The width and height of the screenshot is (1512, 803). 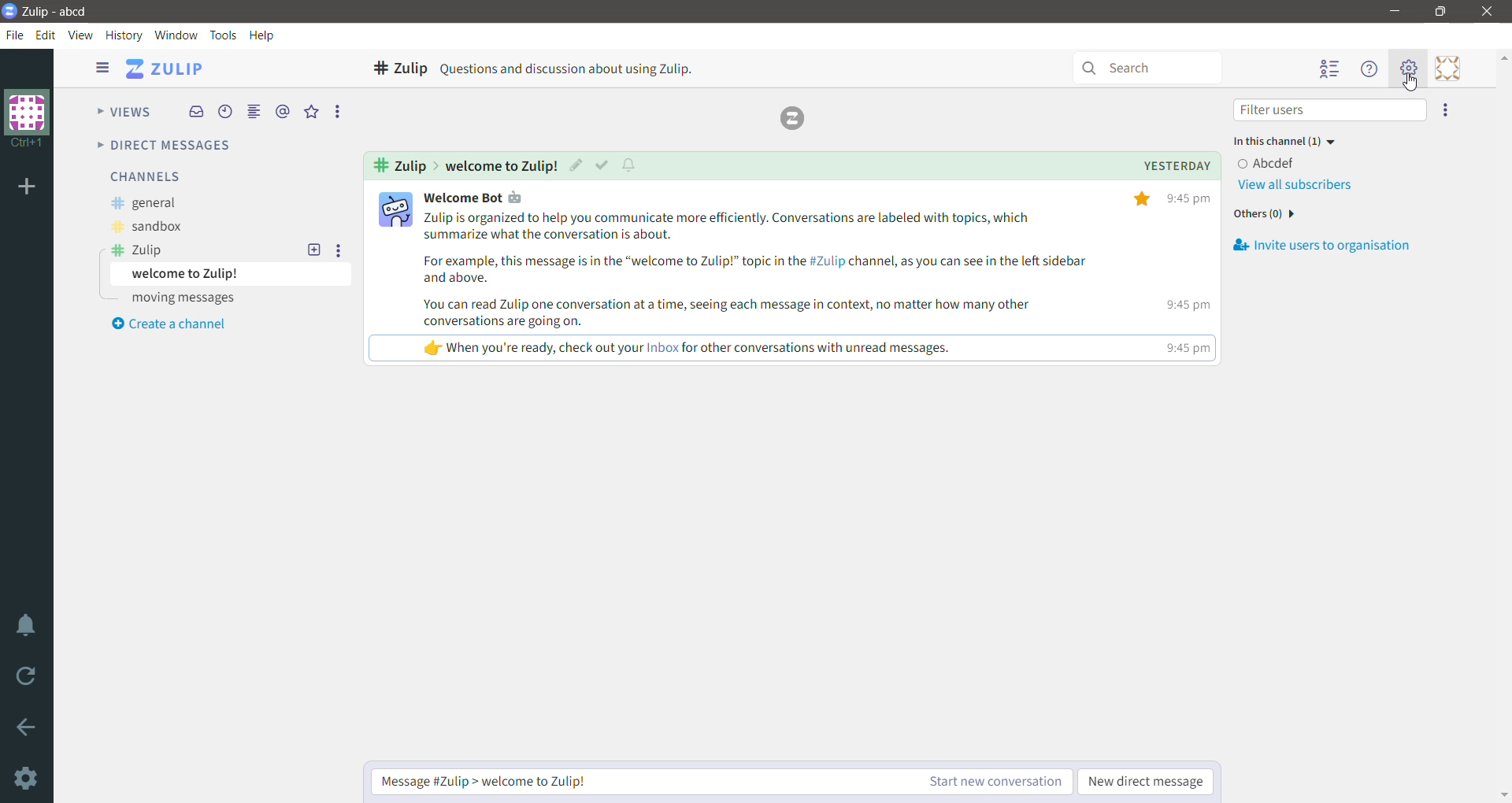 I want to click on Mark as read, so click(x=603, y=165).